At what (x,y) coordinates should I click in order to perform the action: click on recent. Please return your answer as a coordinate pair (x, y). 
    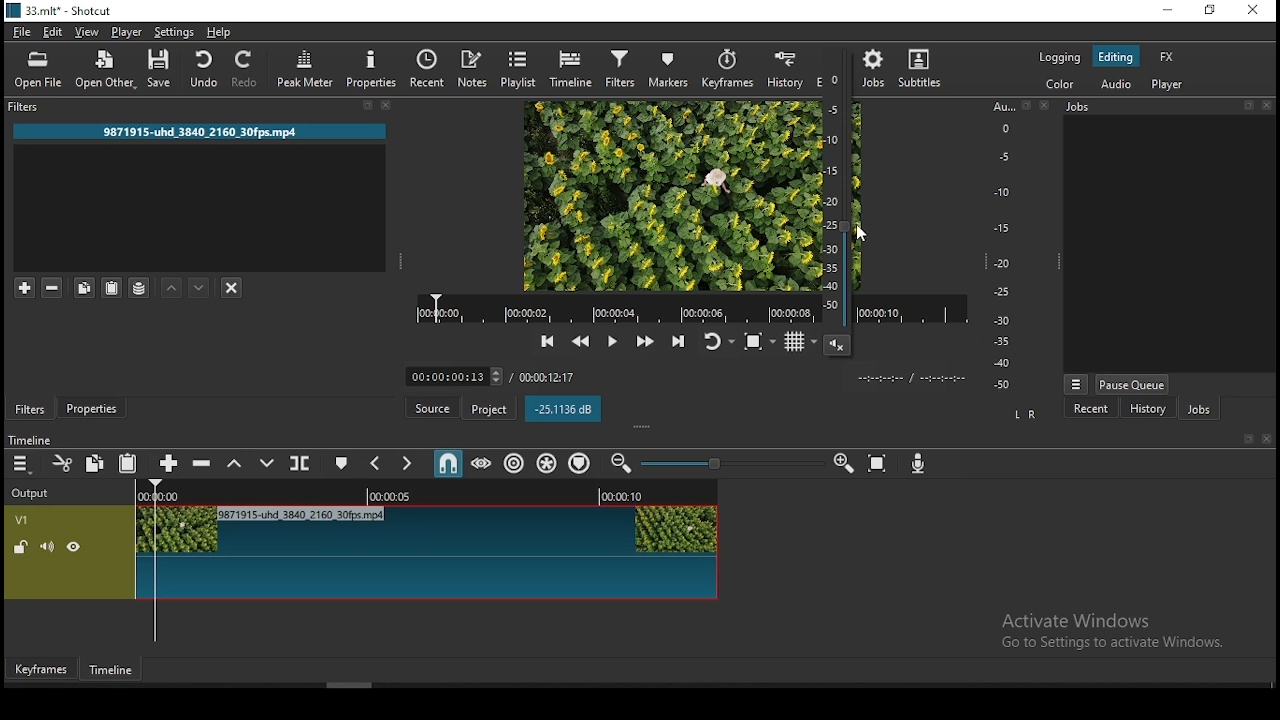
    Looking at the image, I should click on (1095, 409).